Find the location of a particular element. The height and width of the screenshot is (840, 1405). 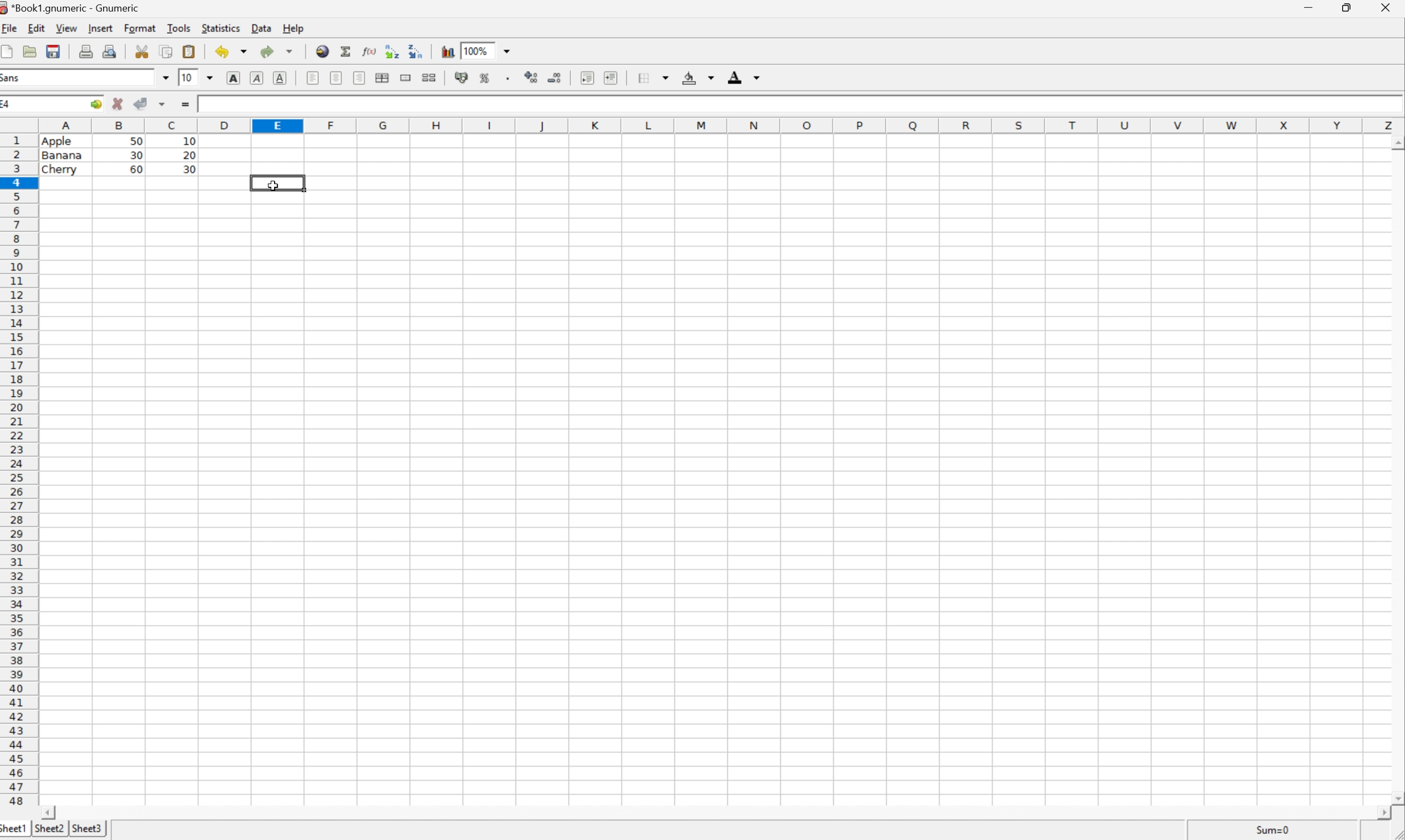

insert hyperlink is located at coordinates (322, 51).